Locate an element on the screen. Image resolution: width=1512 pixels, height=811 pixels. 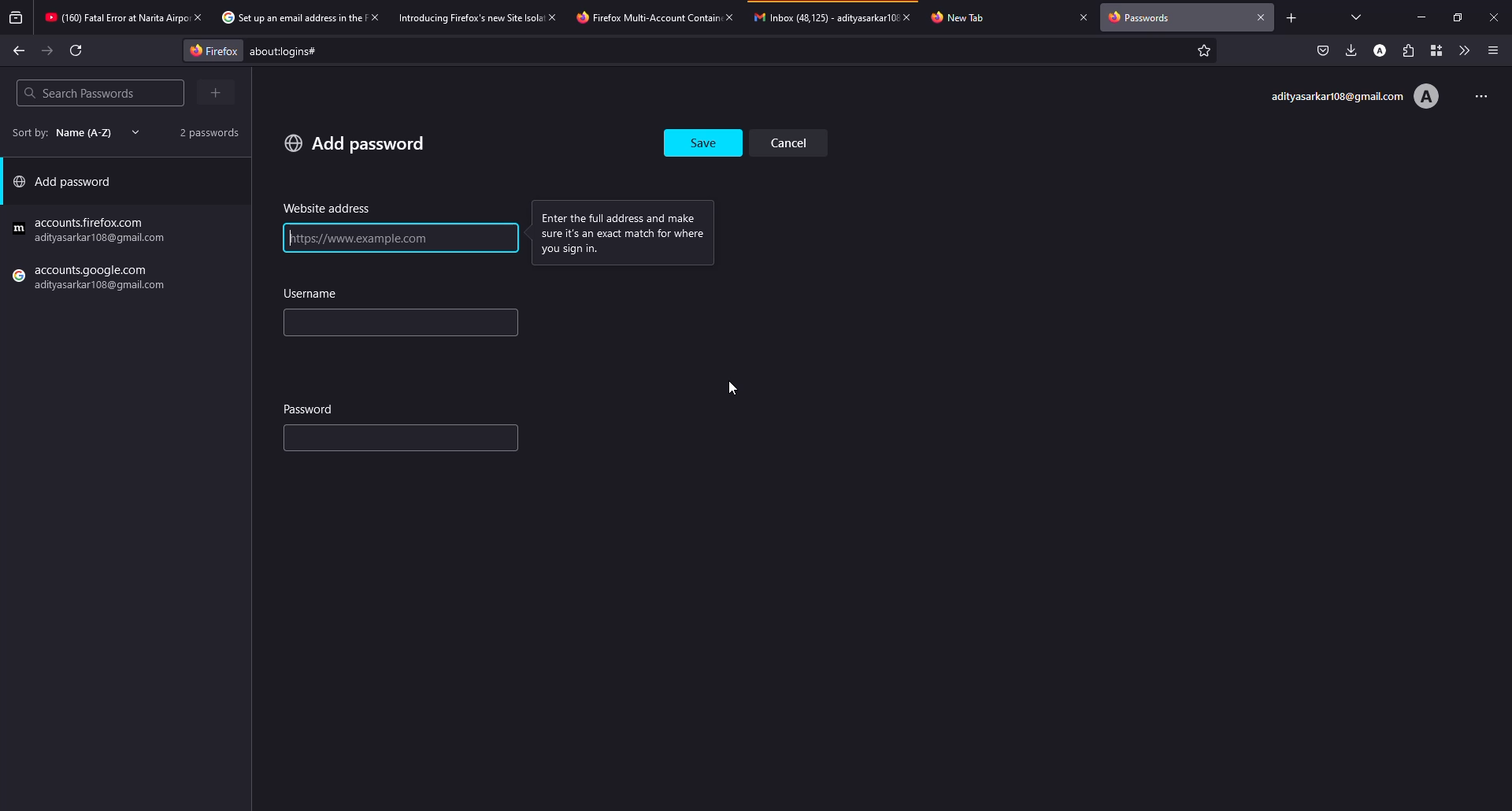
close is located at coordinates (197, 17).